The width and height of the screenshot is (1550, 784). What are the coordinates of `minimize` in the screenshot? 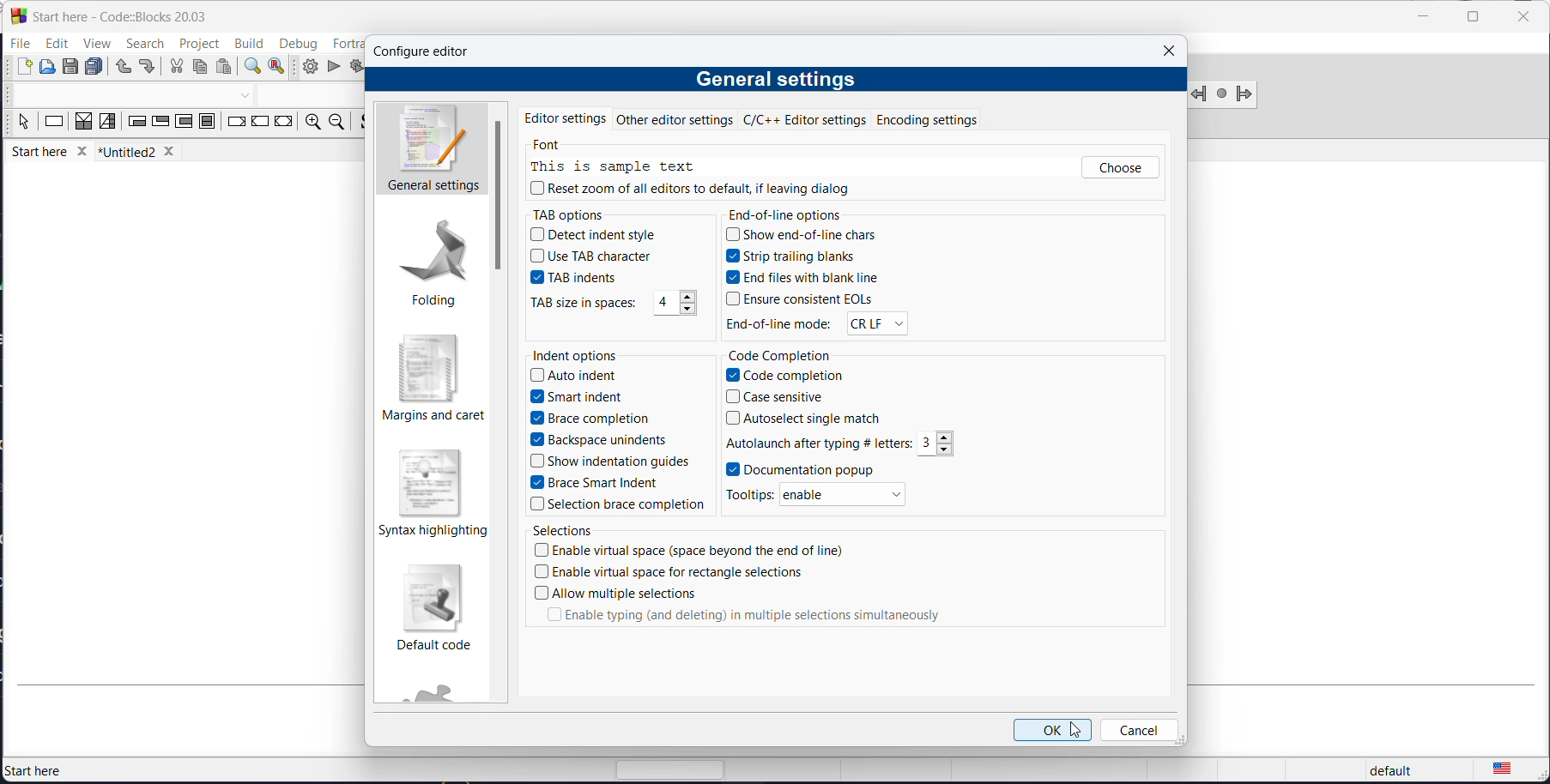 It's located at (1421, 19).